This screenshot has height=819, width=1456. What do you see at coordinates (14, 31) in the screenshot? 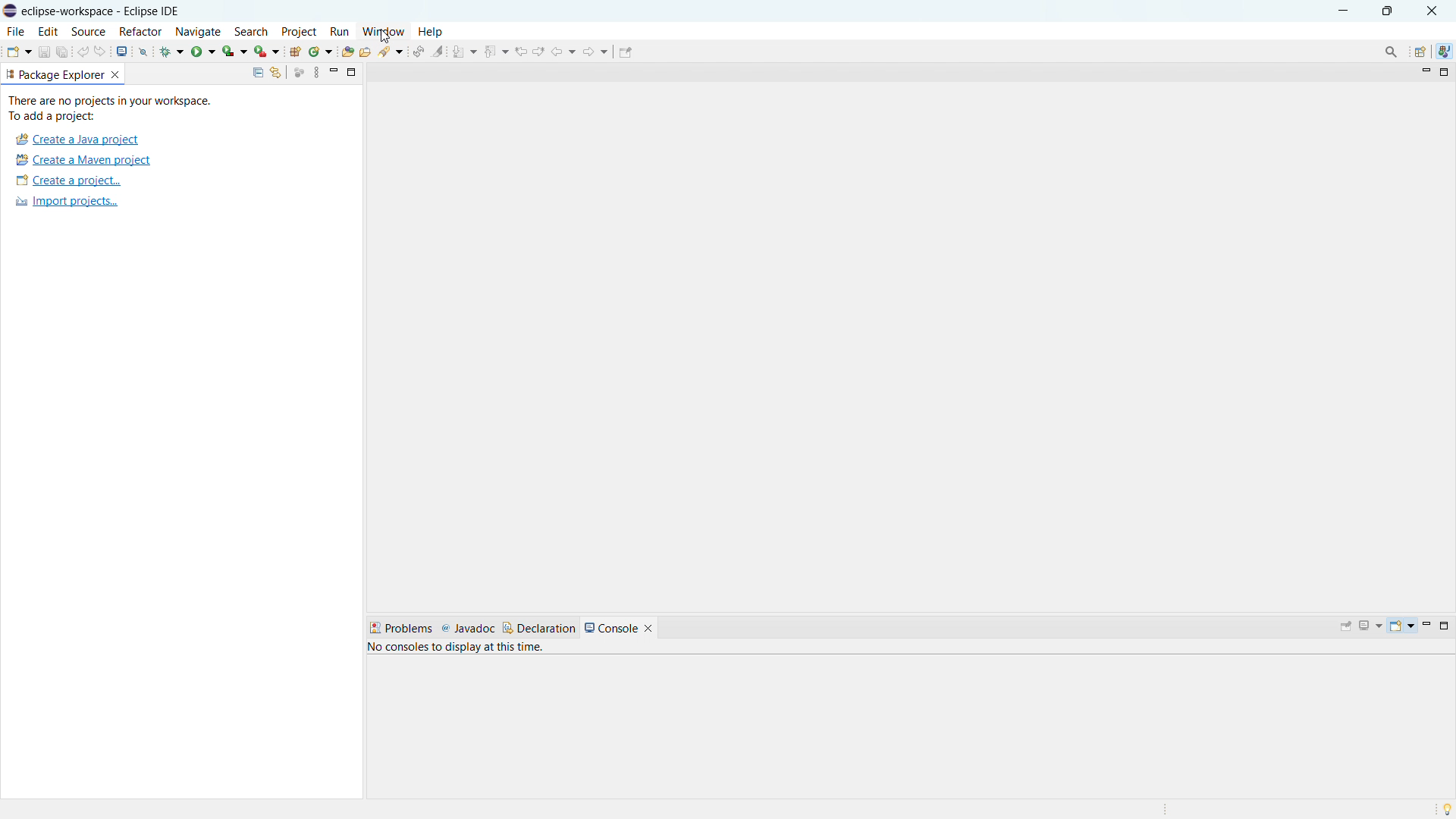
I see `file` at bounding box center [14, 31].